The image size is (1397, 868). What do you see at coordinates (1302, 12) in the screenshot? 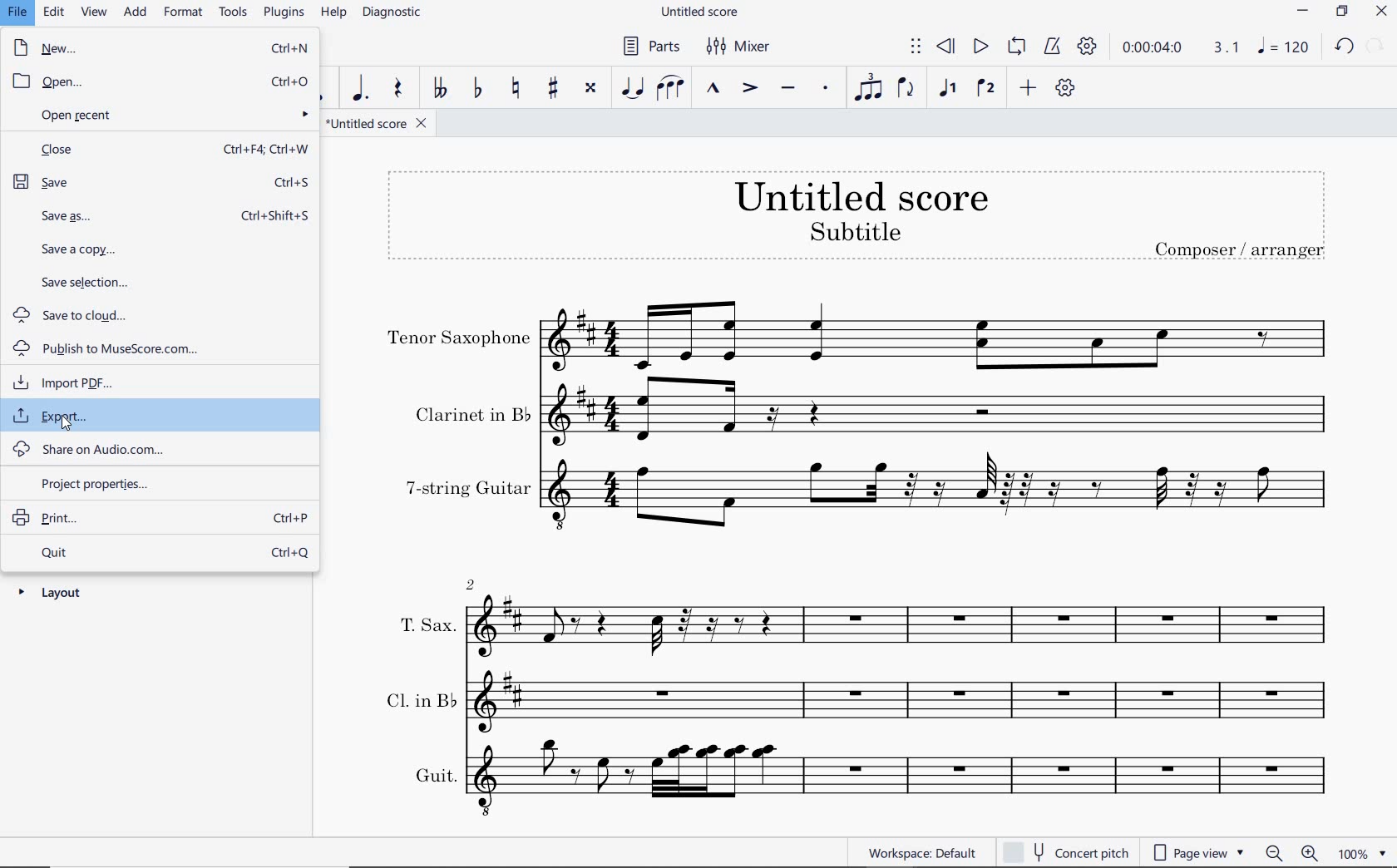
I see `MINIMIZE` at bounding box center [1302, 12].